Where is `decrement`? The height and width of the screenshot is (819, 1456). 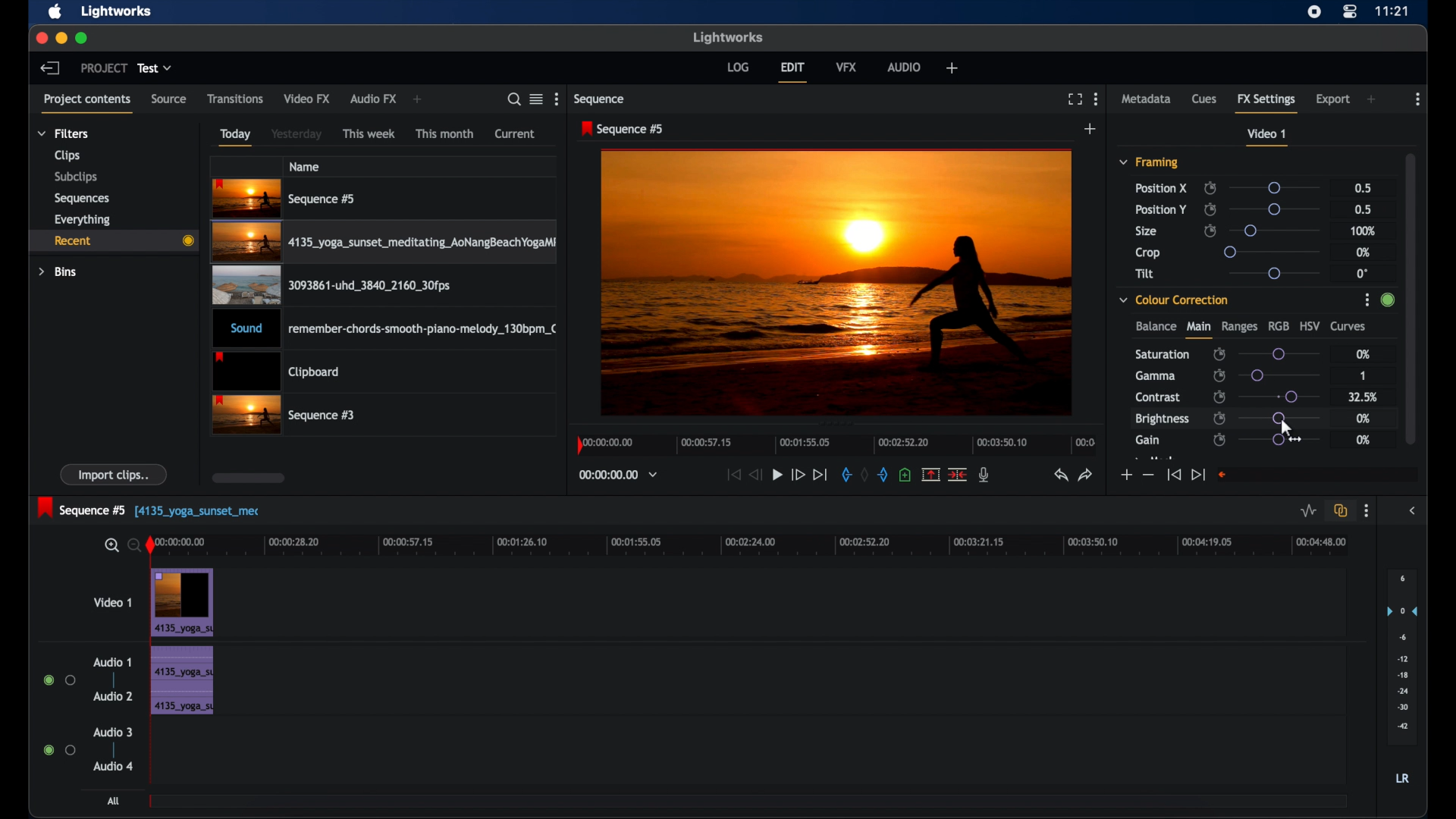 decrement is located at coordinates (1148, 475).